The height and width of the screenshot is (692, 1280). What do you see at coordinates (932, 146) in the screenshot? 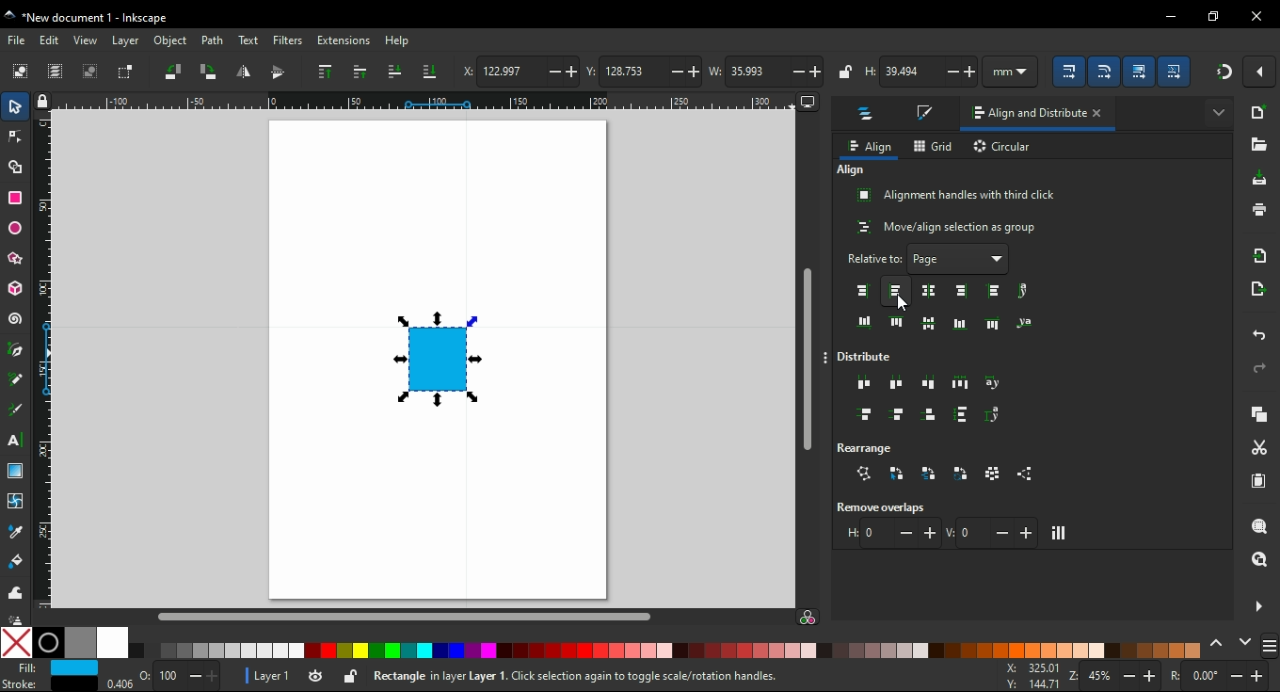
I see `grid` at bounding box center [932, 146].